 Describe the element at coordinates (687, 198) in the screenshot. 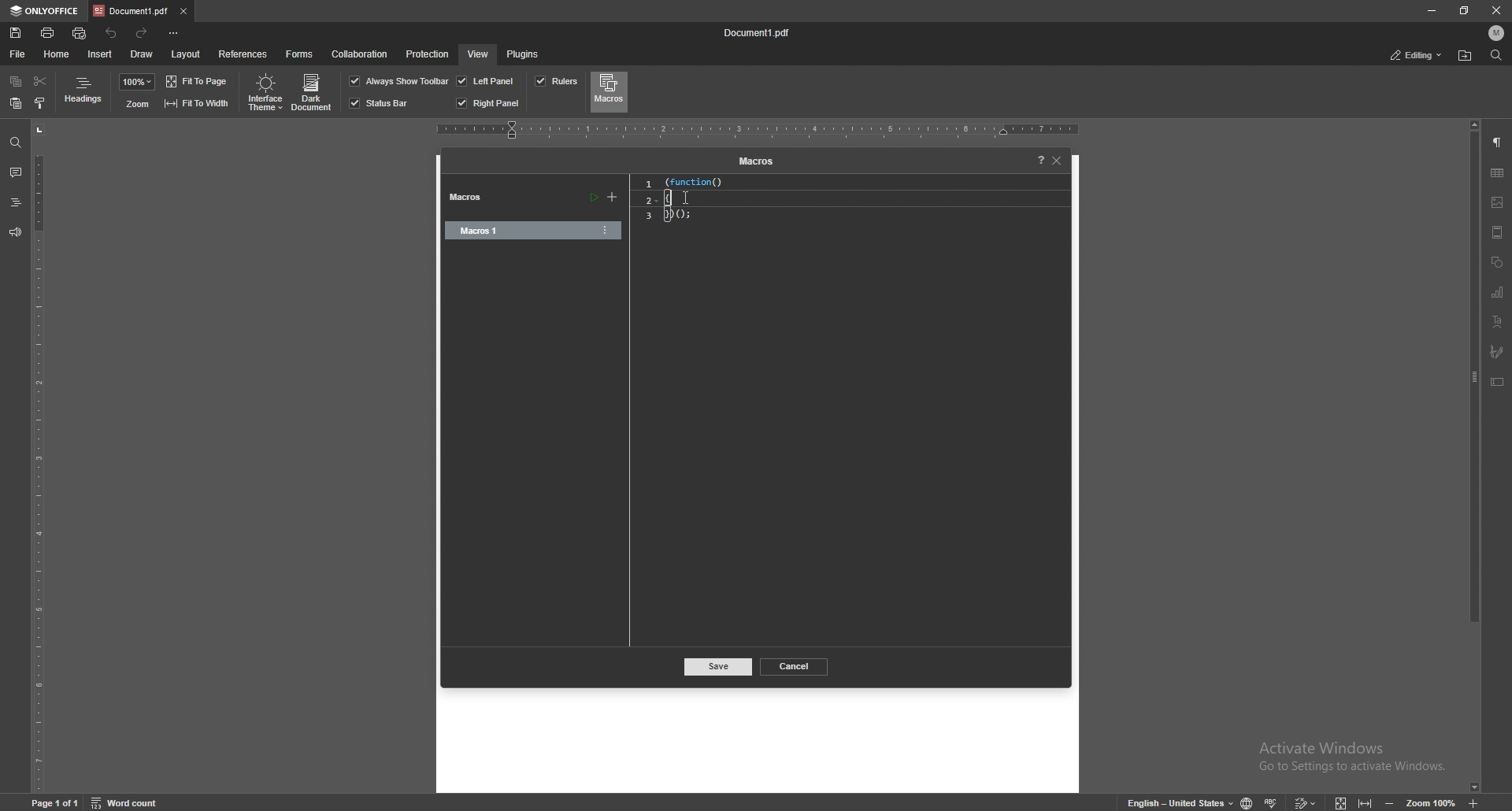

I see `Cursor` at that location.